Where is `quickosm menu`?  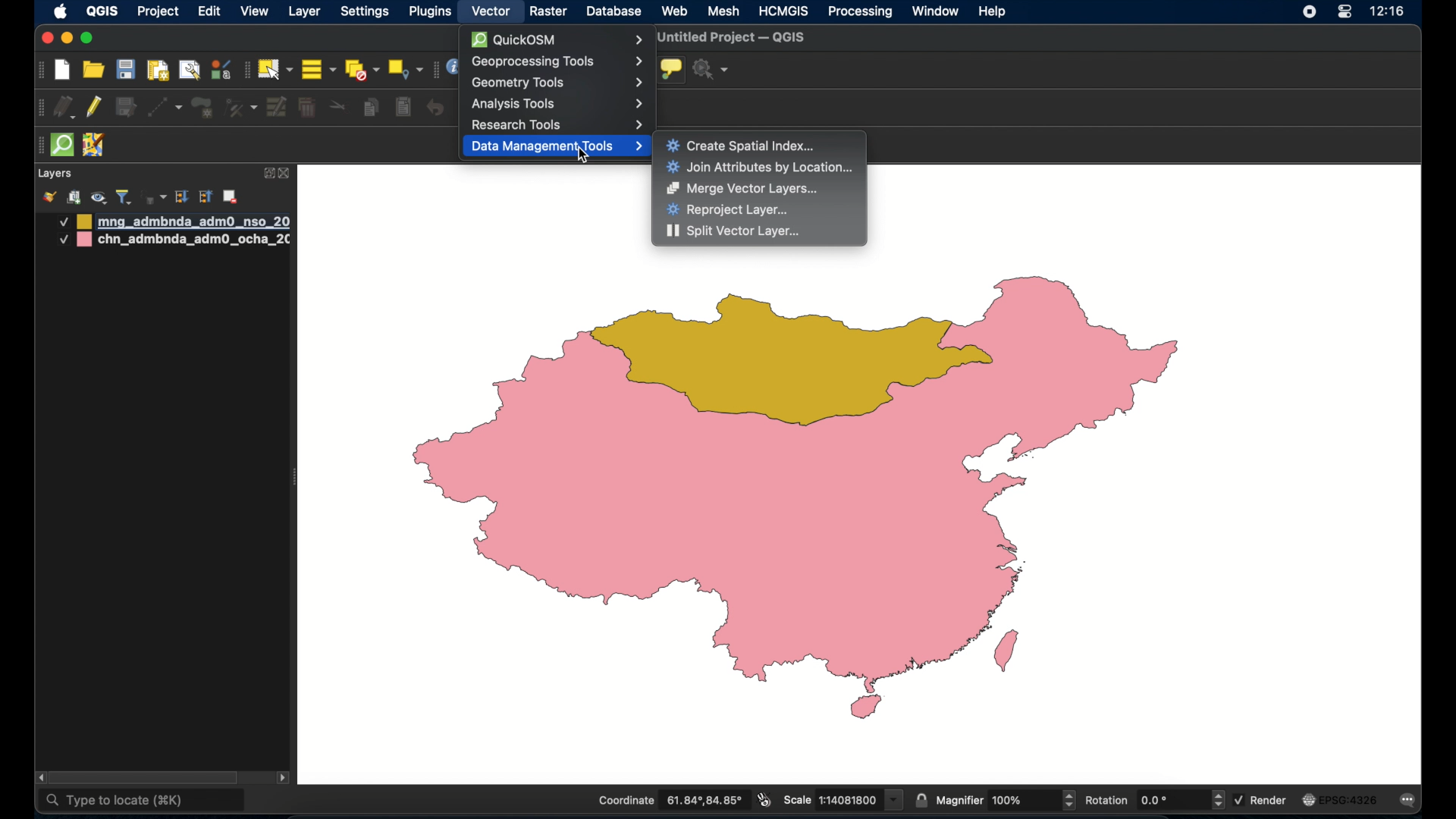
quickosm menu is located at coordinates (555, 39).